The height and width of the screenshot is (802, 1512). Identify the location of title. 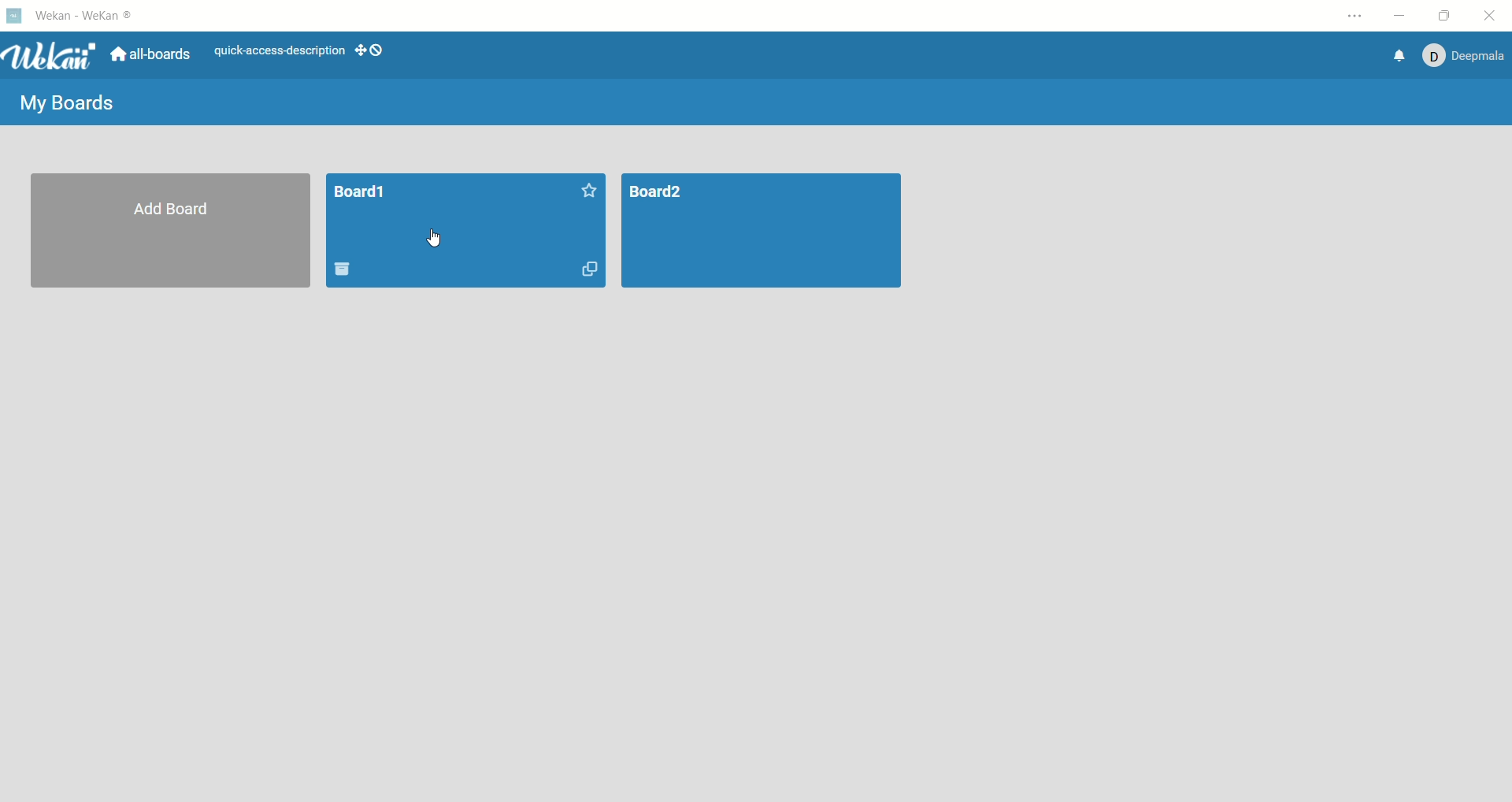
(361, 194).